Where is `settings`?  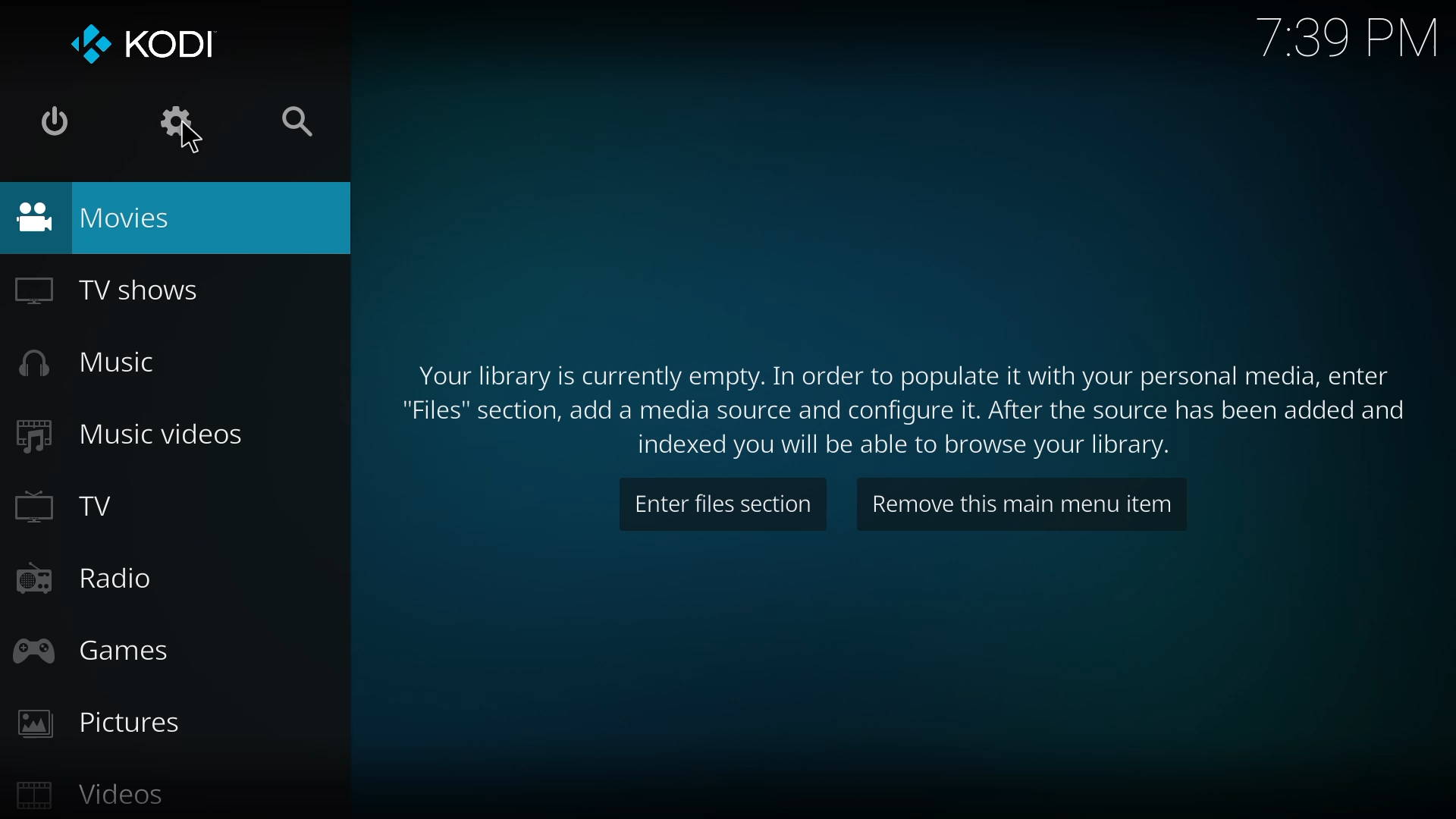 settings is located at coordinates (174, 122).